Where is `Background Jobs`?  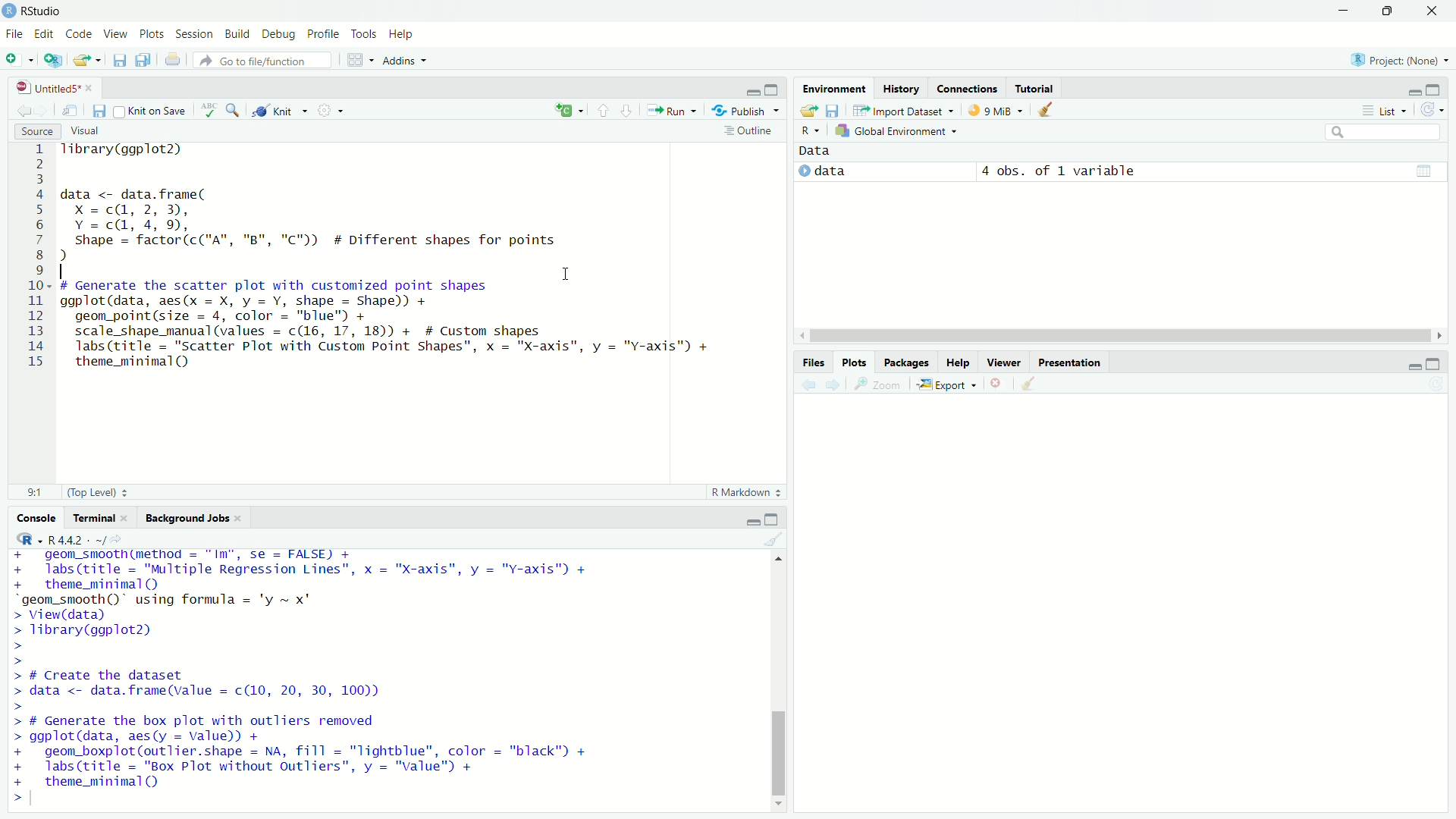 Background Jobs is located at coordinates (184, 517).